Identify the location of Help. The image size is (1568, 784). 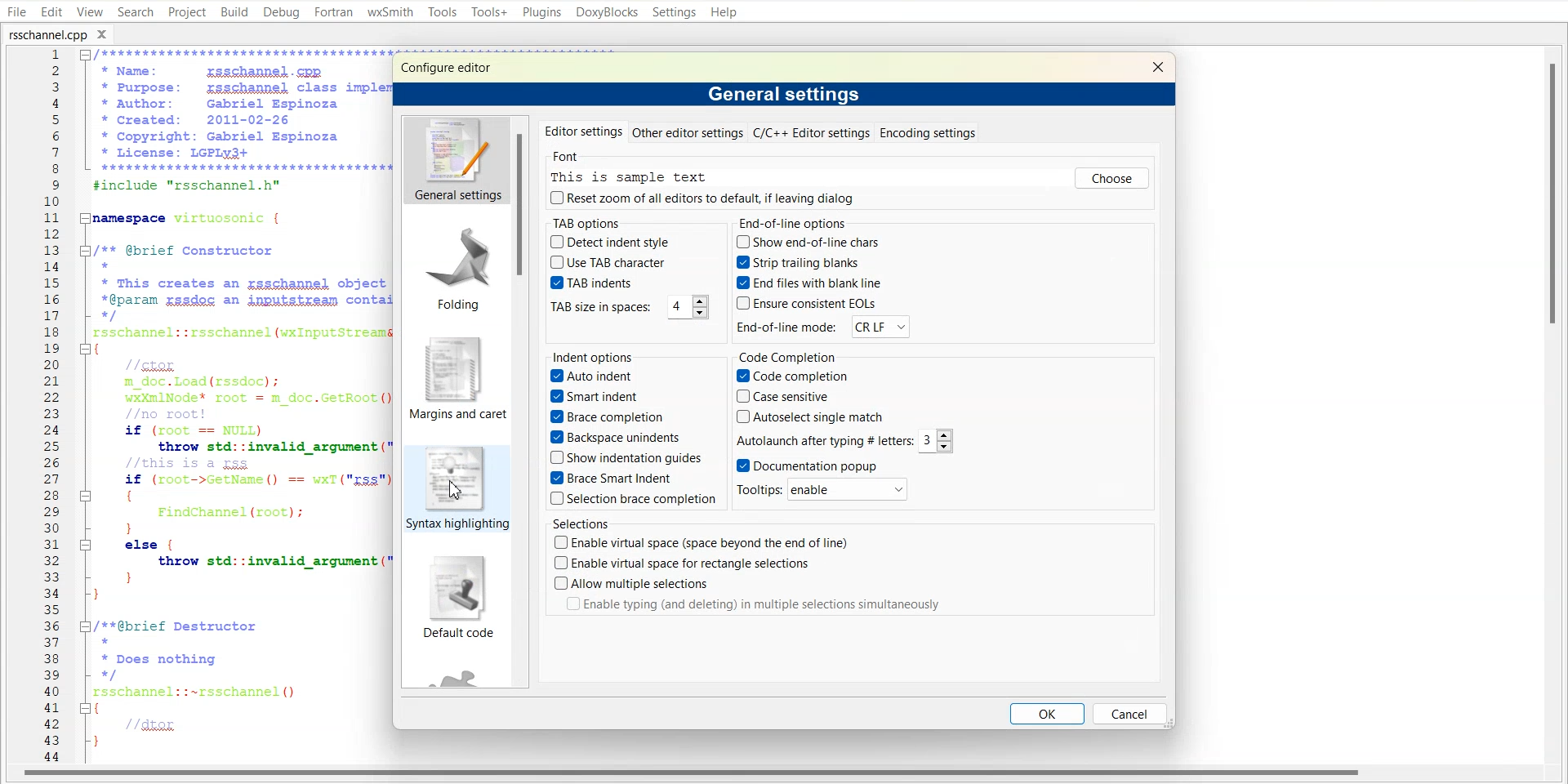
(724, 11).